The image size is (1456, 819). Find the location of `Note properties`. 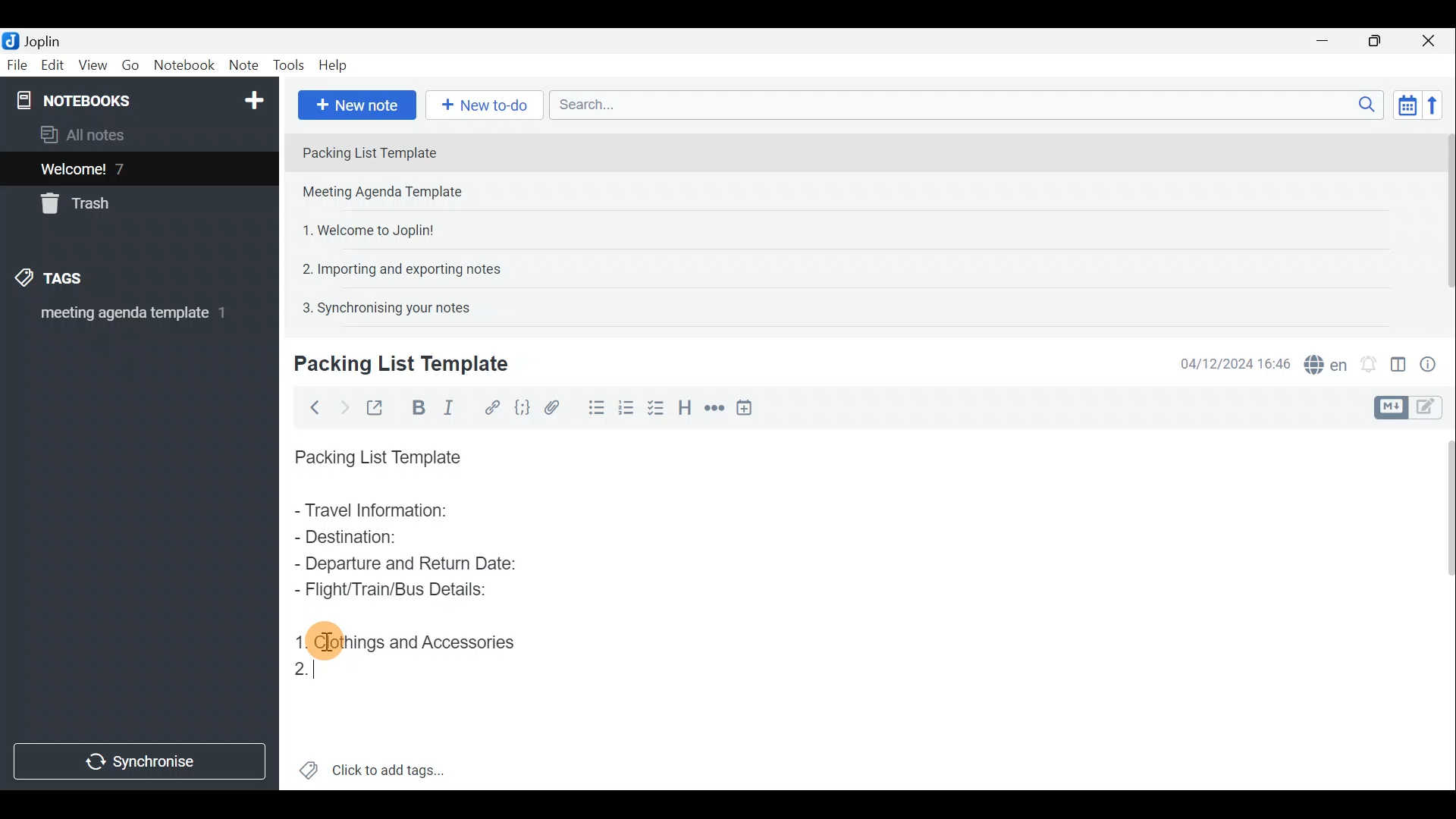

Note properties is located at coordinates (1433, 362).